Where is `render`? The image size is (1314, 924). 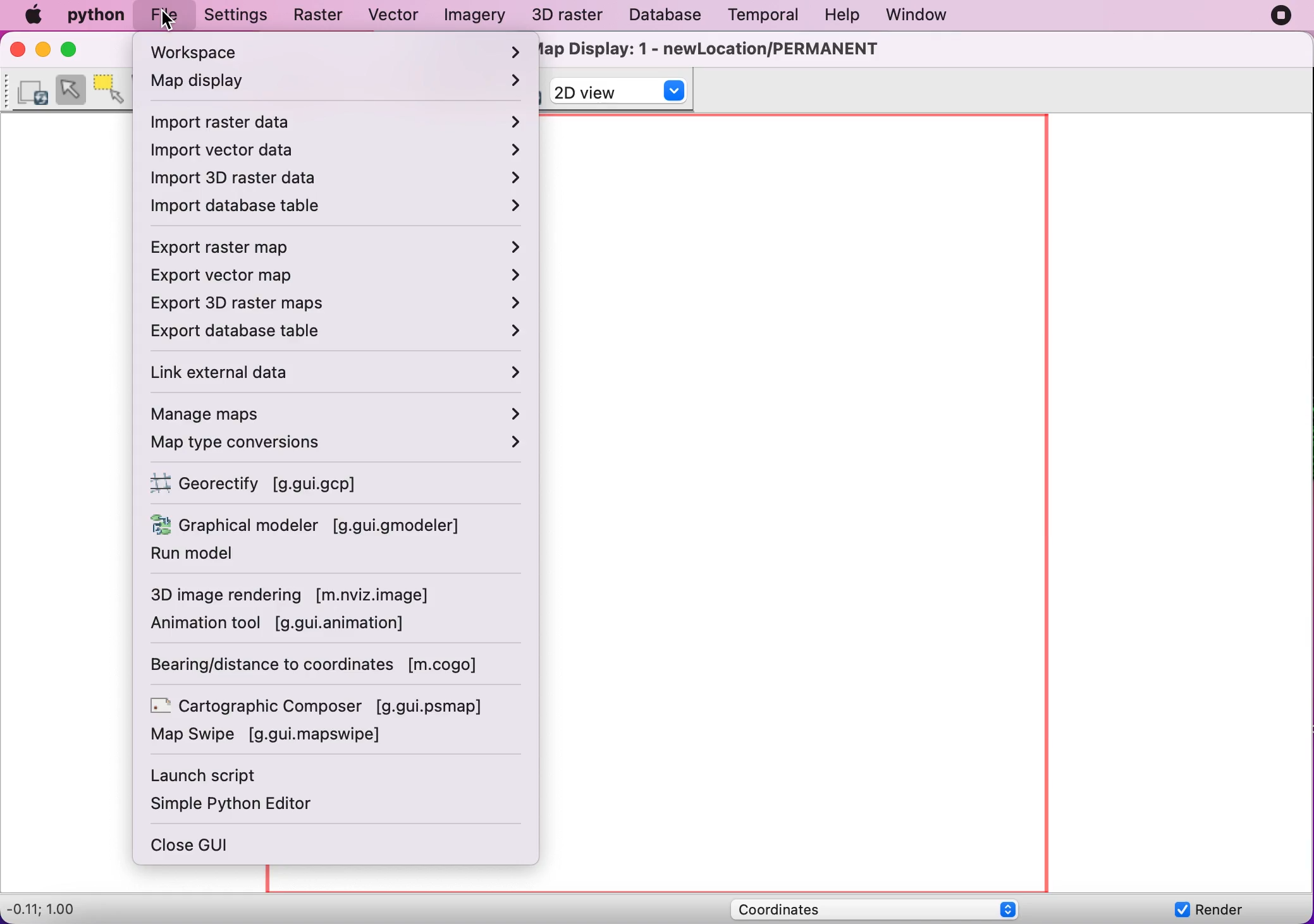 render is located at coordinates (1214, 910).